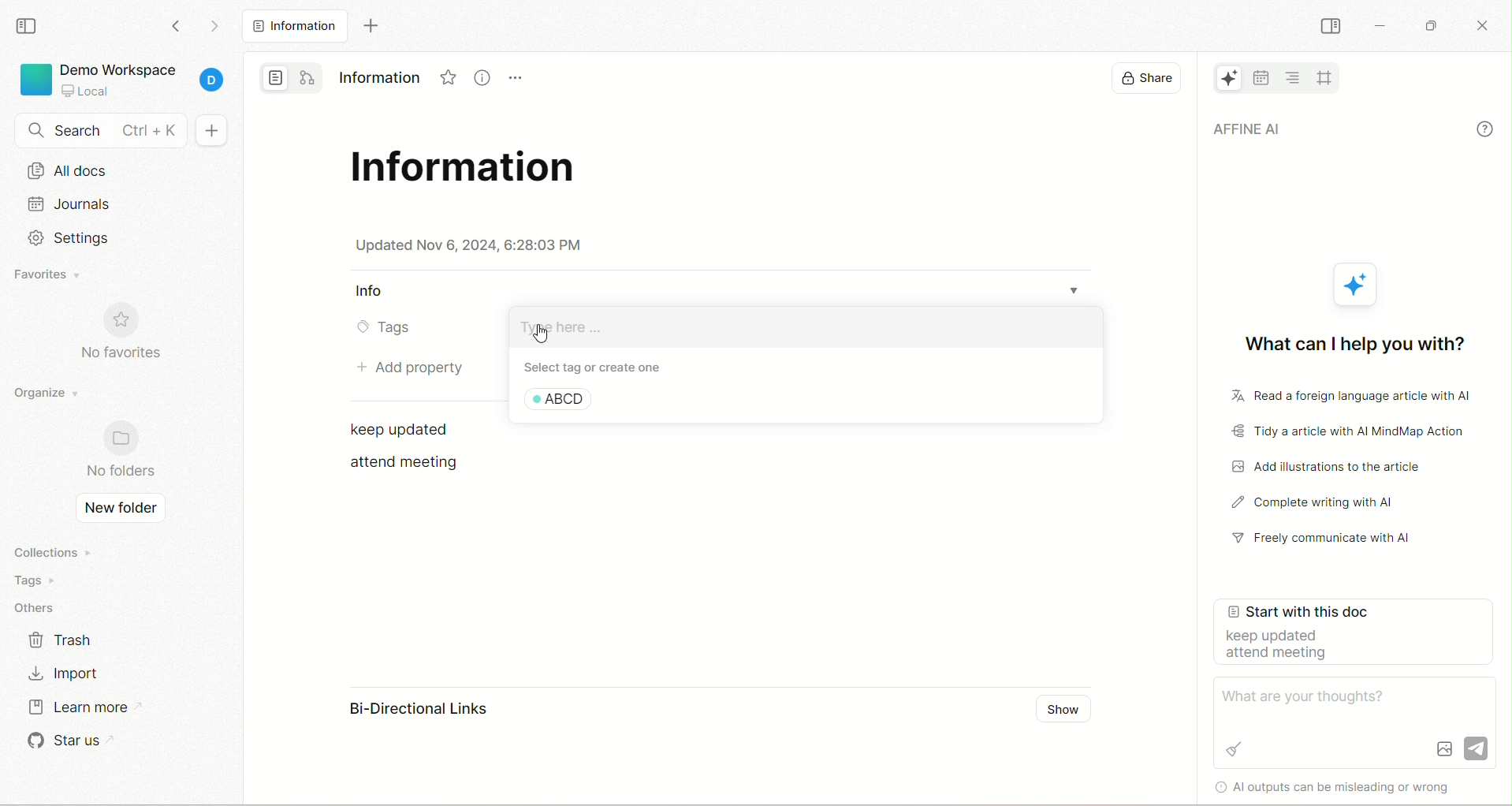 Image resolution: width=1512 pixels, height=806 pixels. What do you see at coordinates (408, 429) in the screenshot?
I see `text` at bounding box center [408, 429].